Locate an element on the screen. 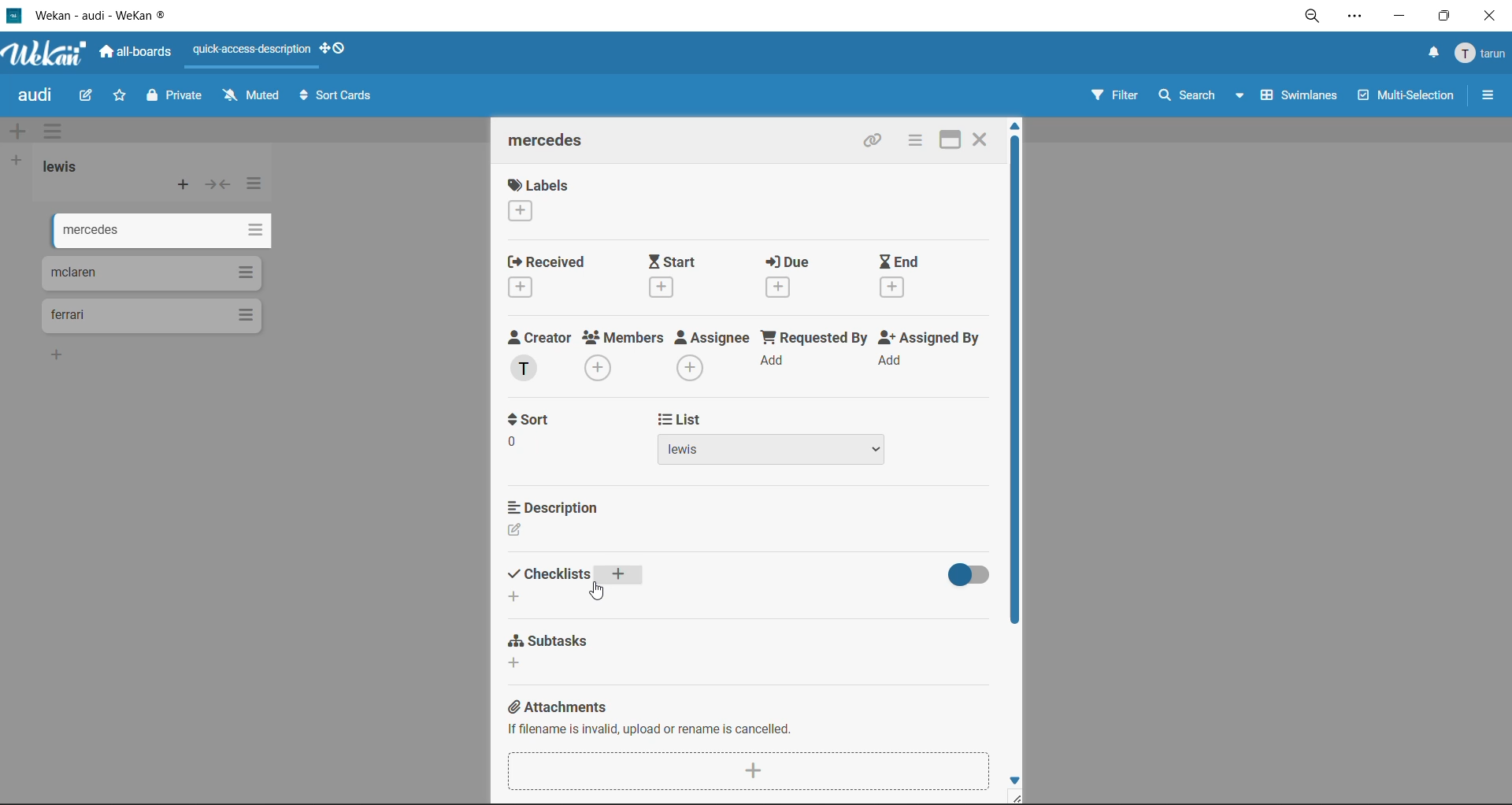  attach is located at coordinates (747, 770).